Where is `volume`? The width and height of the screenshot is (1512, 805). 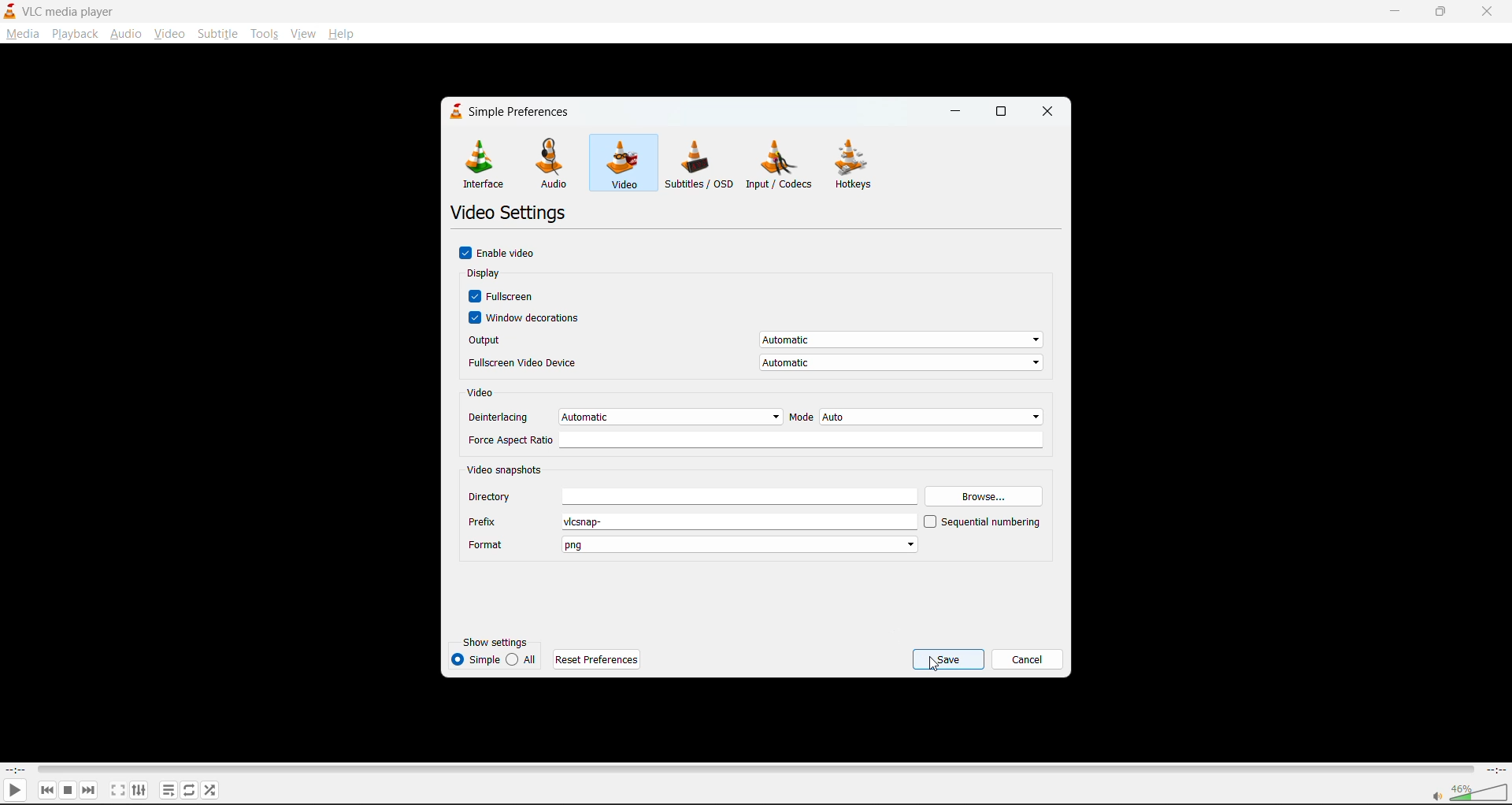
volume is located at coordinates (1466, 792).